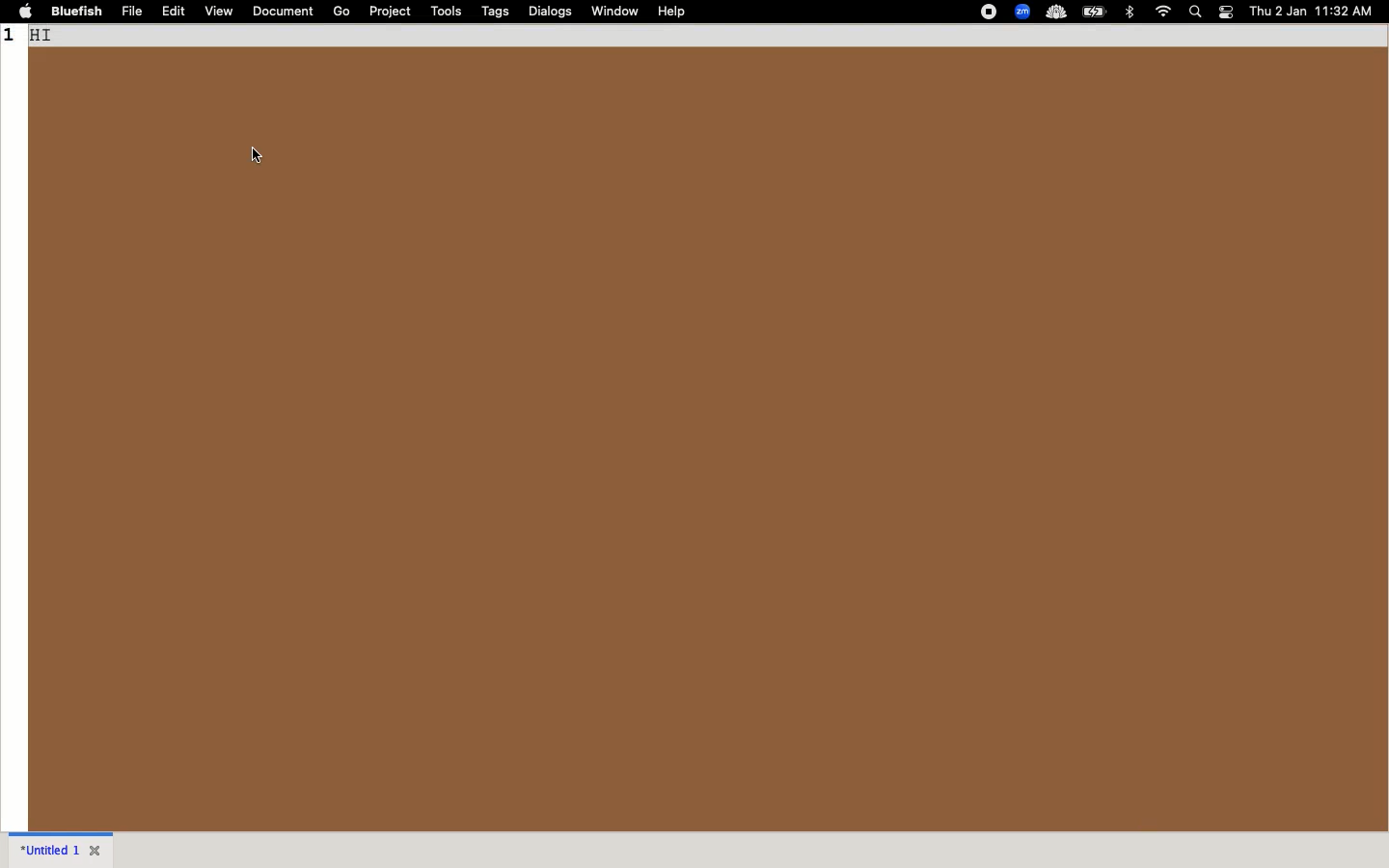  What do you see at coordinates (98, 848) in the screenshot?
I see `Close` at bounding box center [98, 848].